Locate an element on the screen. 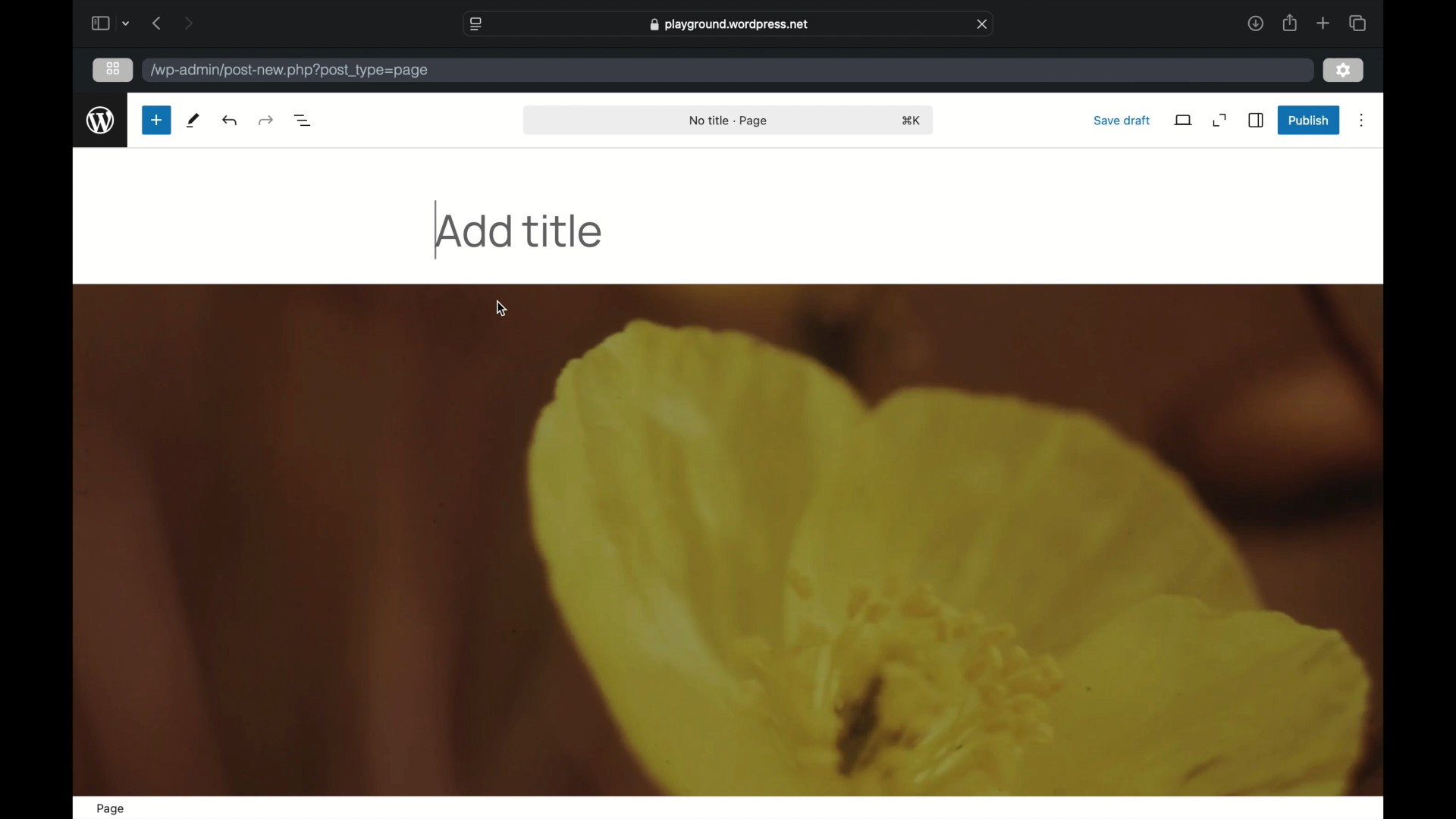 Image resolution: width=1456 pixels, height=819 pixels. sidebar is located at coordinates (99, 23).